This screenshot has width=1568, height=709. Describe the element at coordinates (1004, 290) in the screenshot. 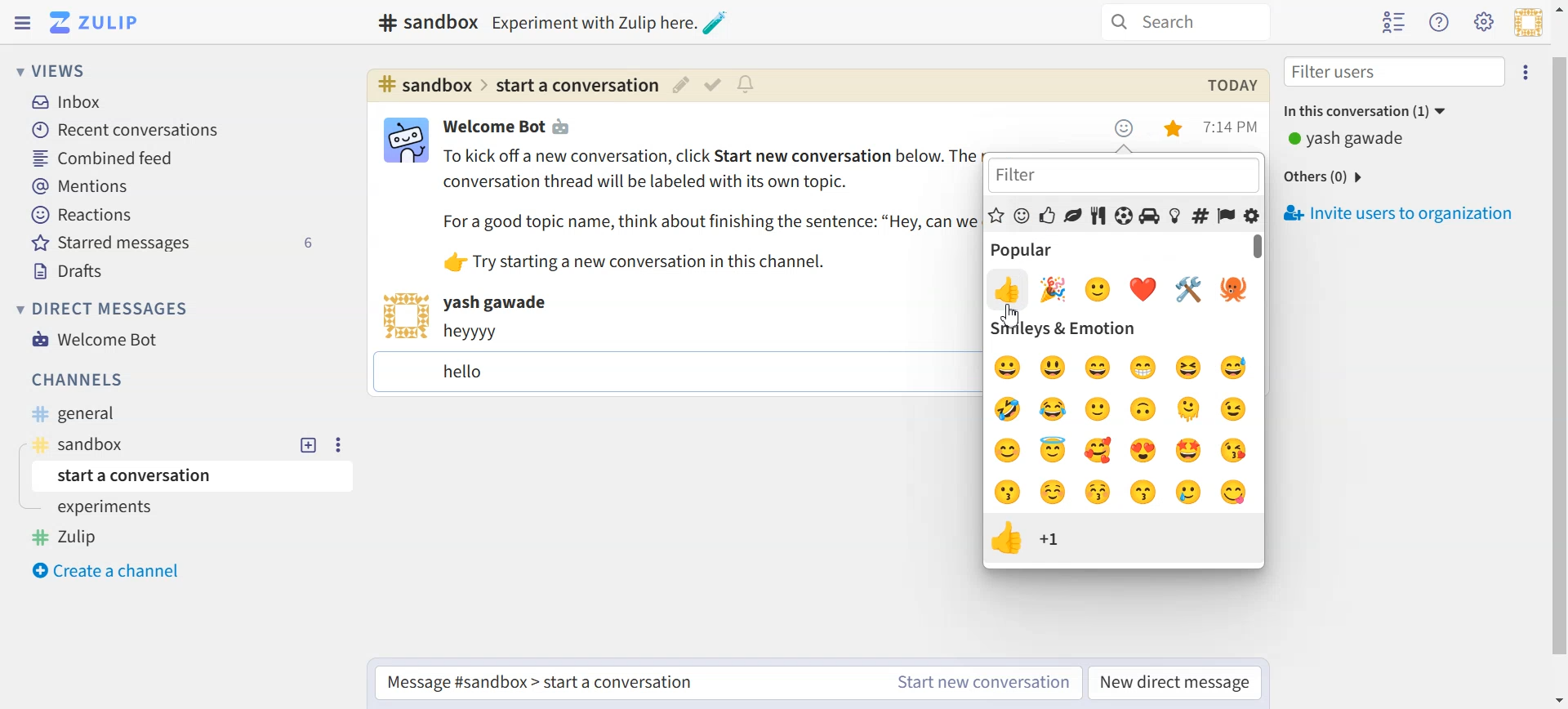

I see `emoji` at that location.